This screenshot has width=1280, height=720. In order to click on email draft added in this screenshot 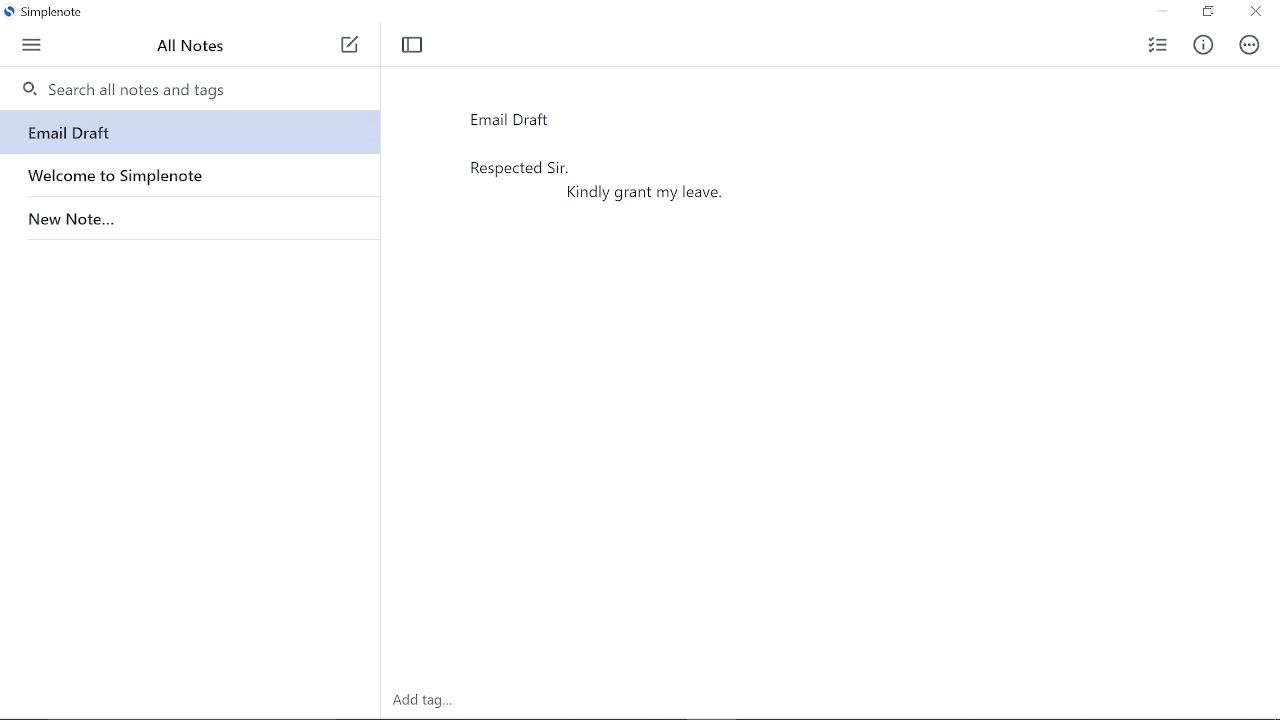, I will do `click(599, 187)`.